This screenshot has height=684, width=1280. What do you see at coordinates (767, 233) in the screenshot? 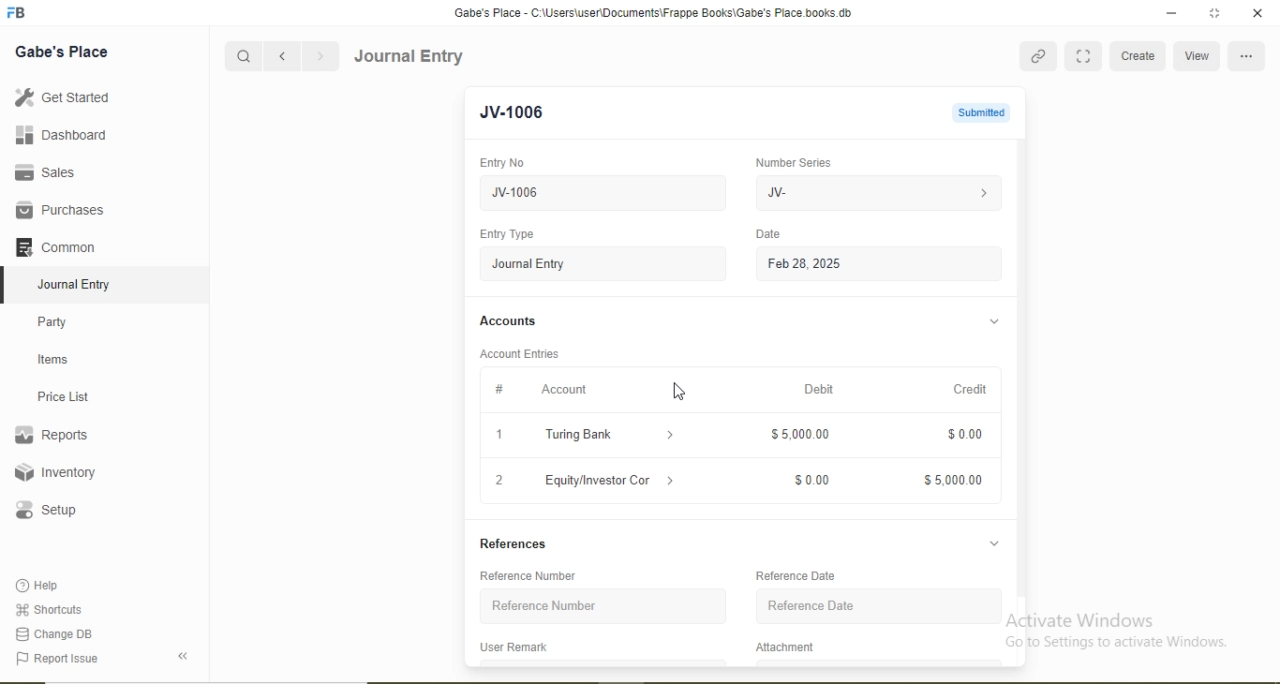
I see `Date` at bounding box center [767, 233].